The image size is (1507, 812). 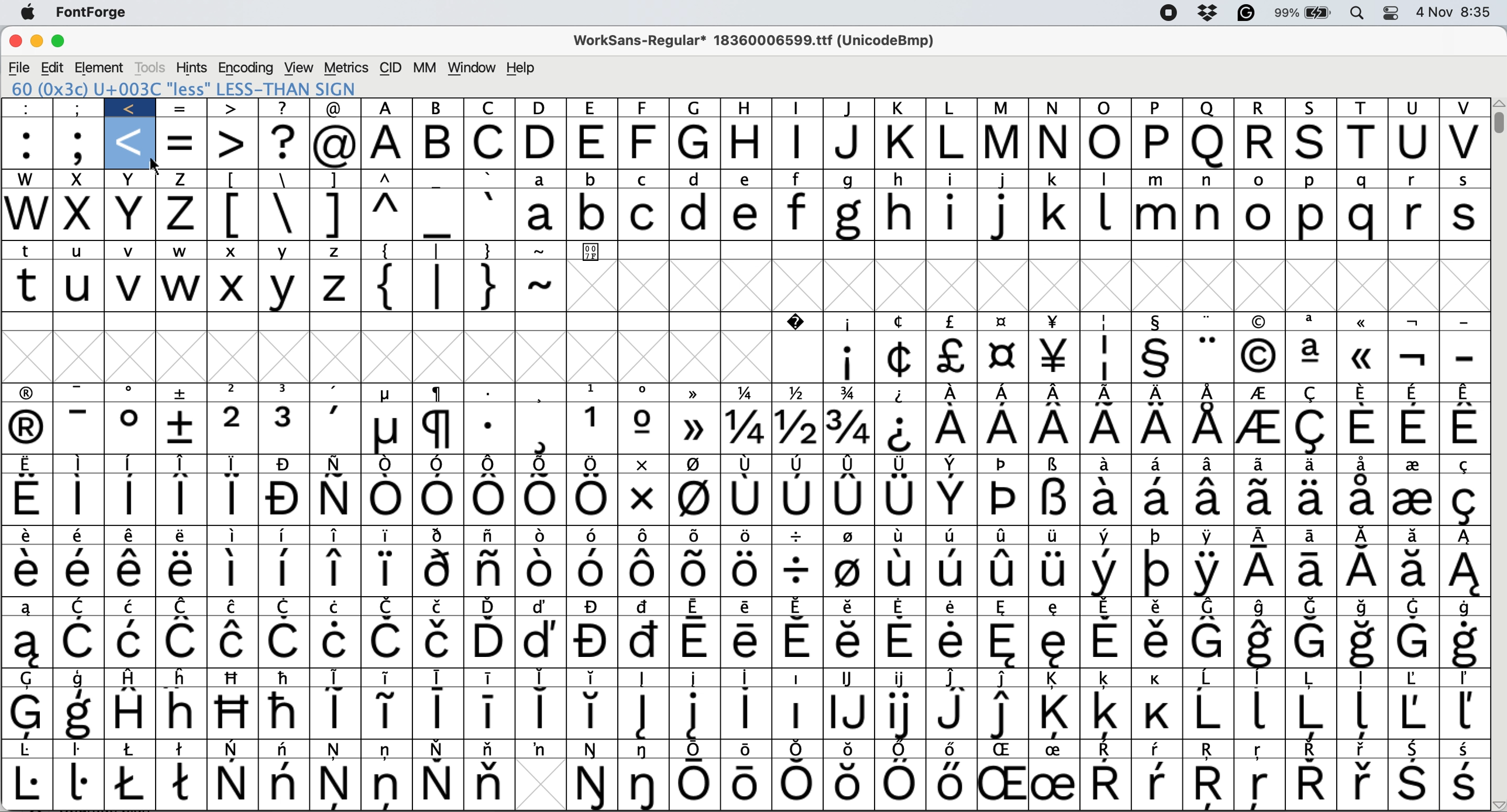 I want to click on Symbol, so click(x=32, y=572).